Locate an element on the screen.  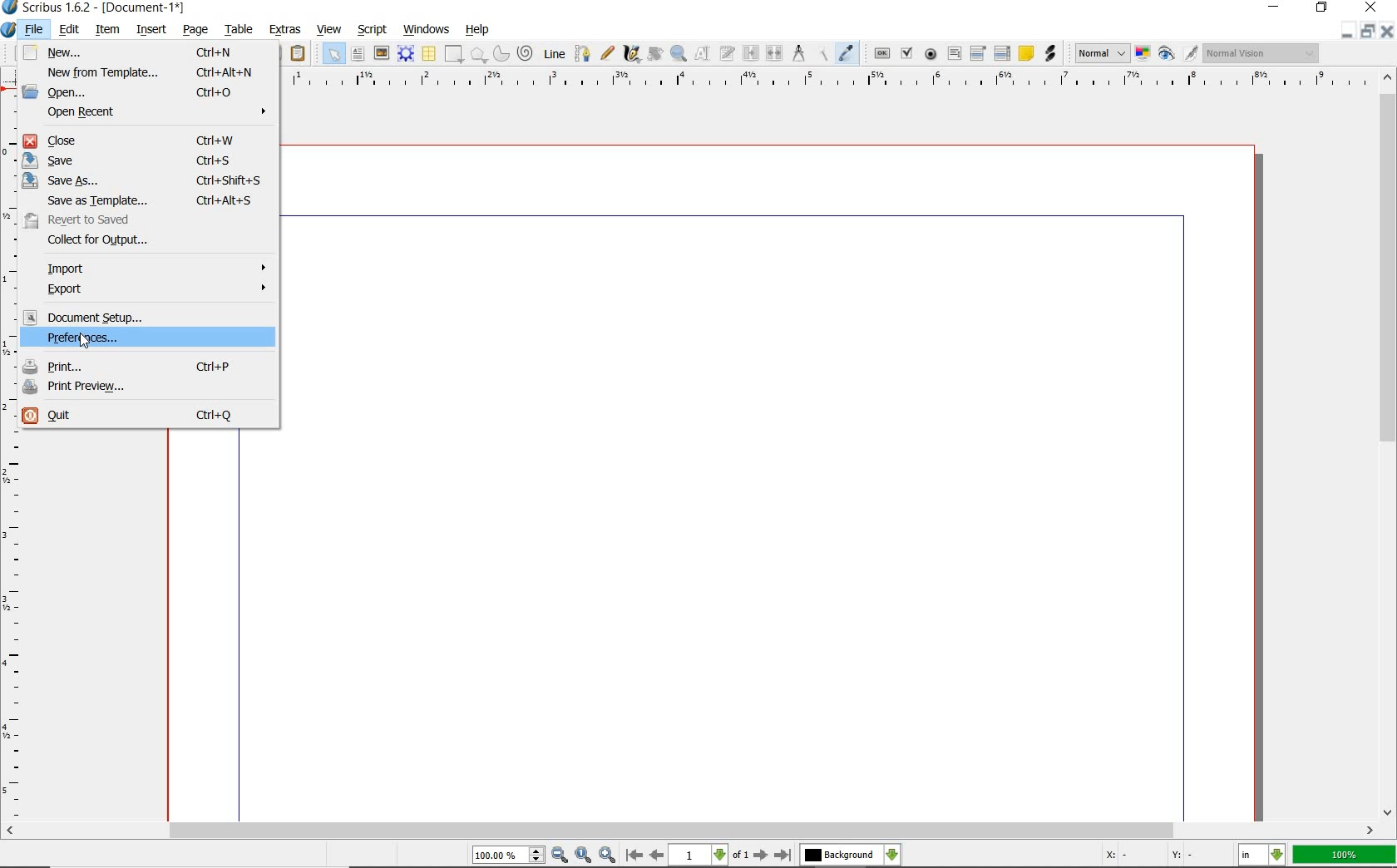
line is located at coordinates (553, 54).